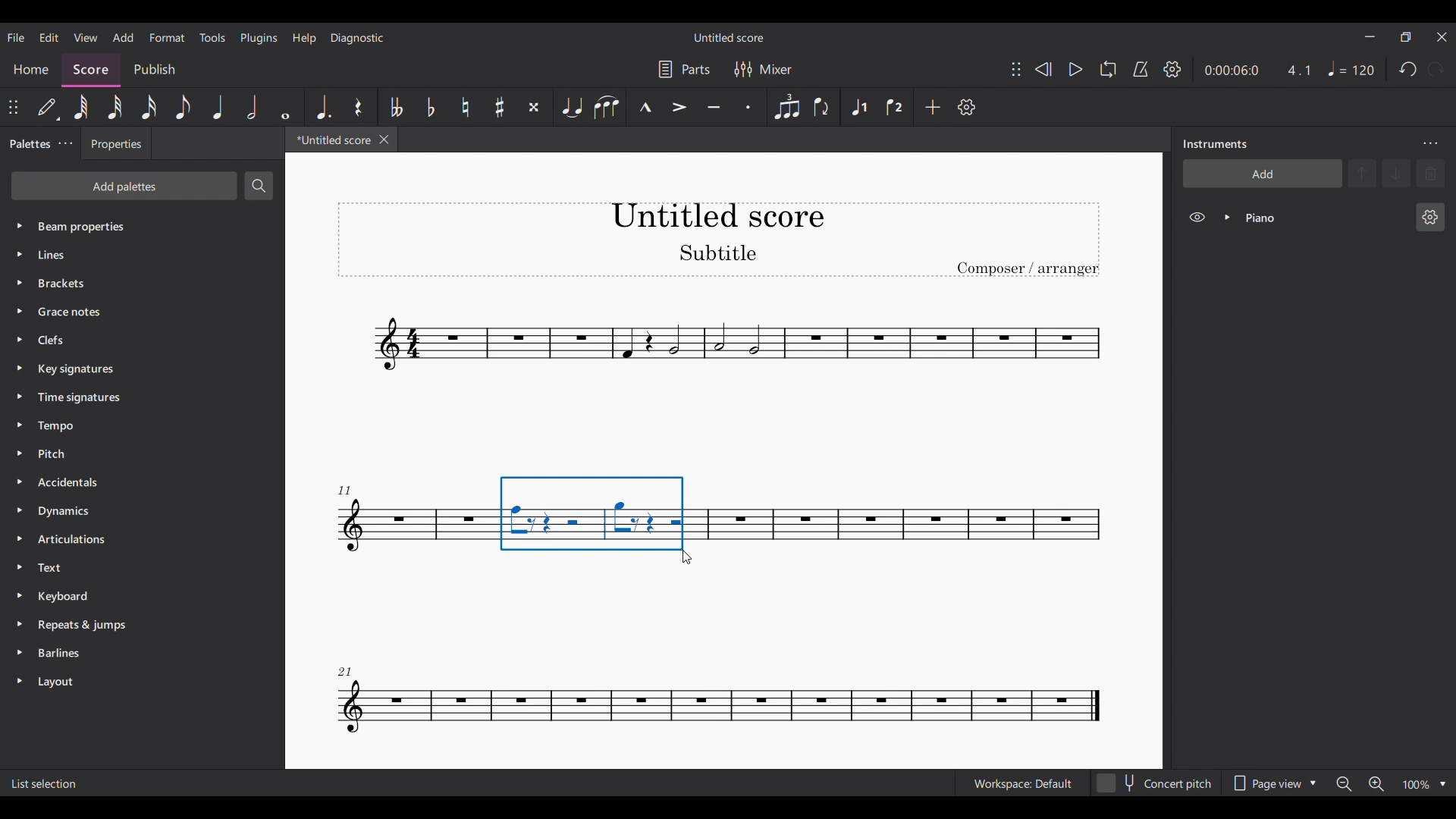 This screenshot has width=1456, height=819. I want to click on Expand, so click(1227, 217).